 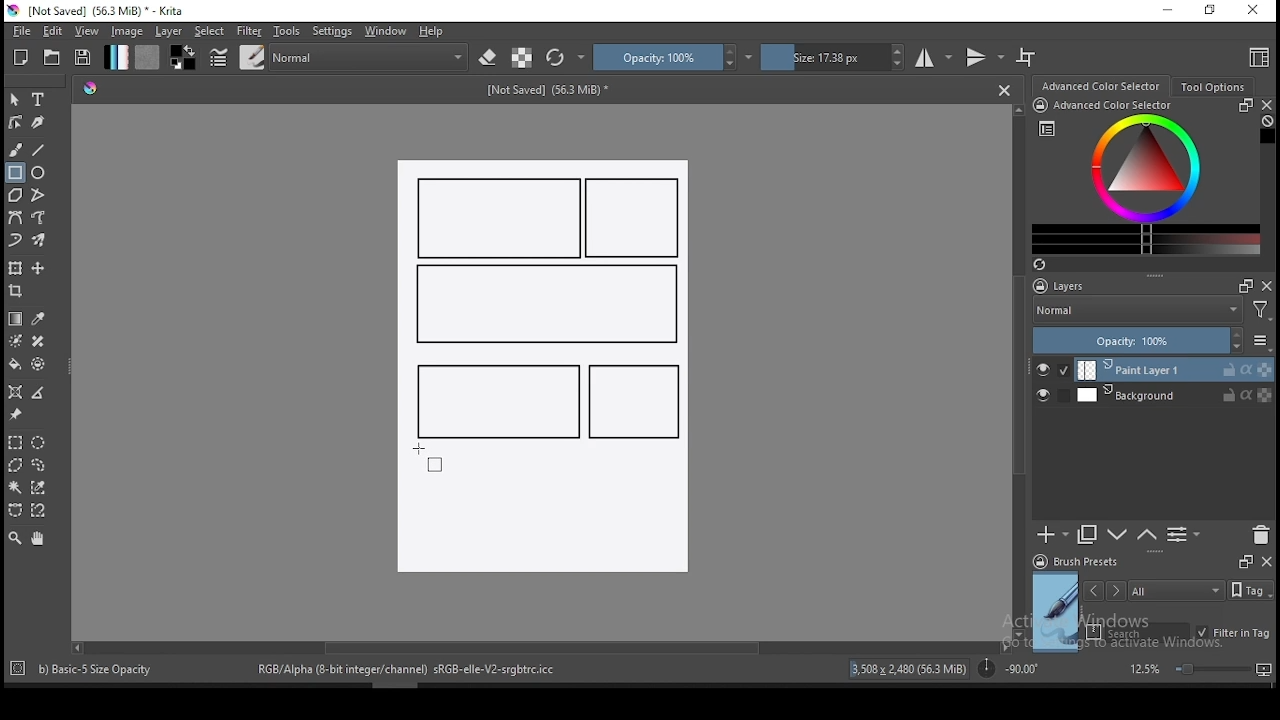 What do you see at coordinates (427, 455) in the screenshot?
I see `mouse pointer` at bounding box center [427, 455].